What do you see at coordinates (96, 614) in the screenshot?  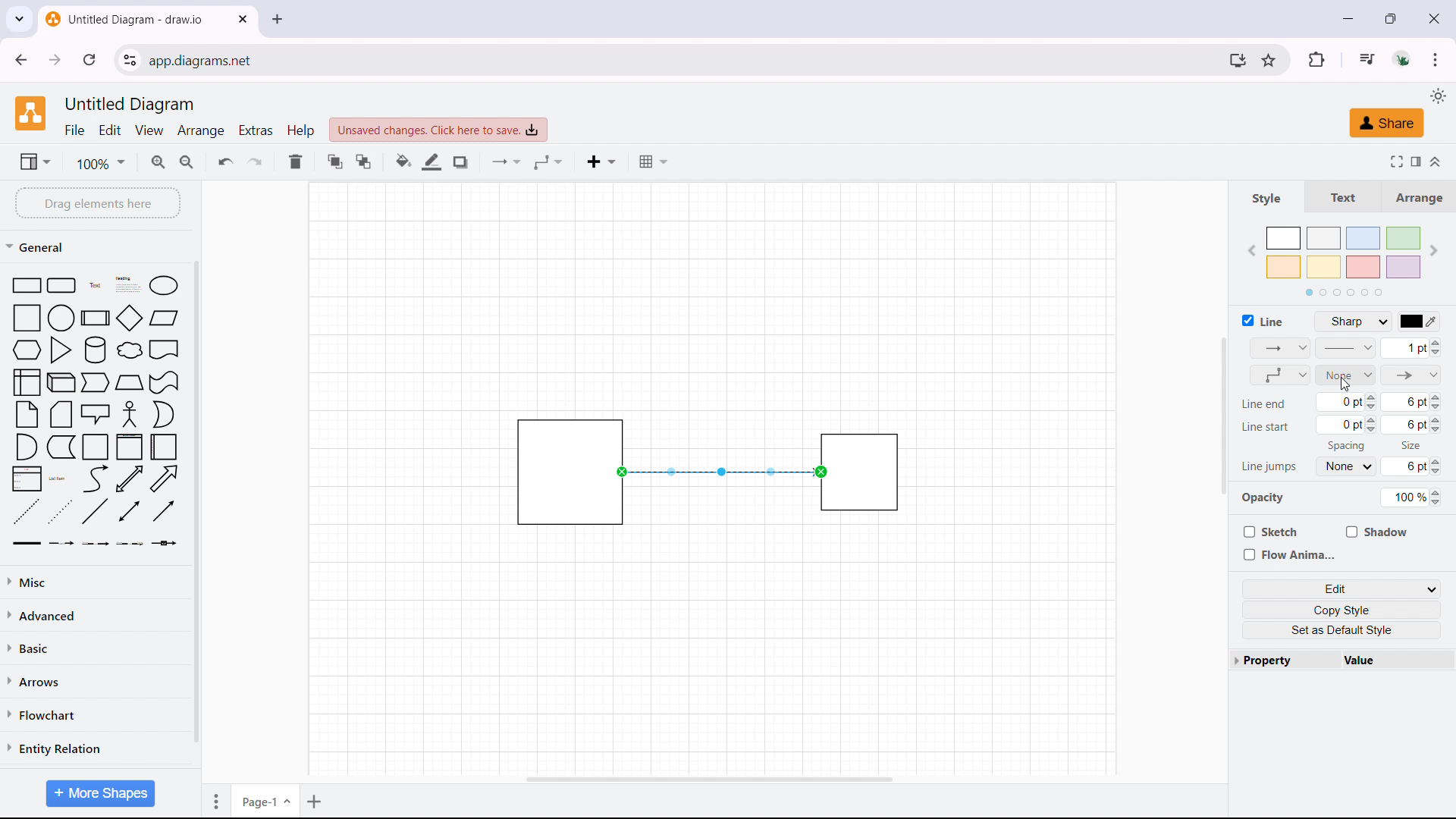 I see `advanced` at bounding box center [96, 614].